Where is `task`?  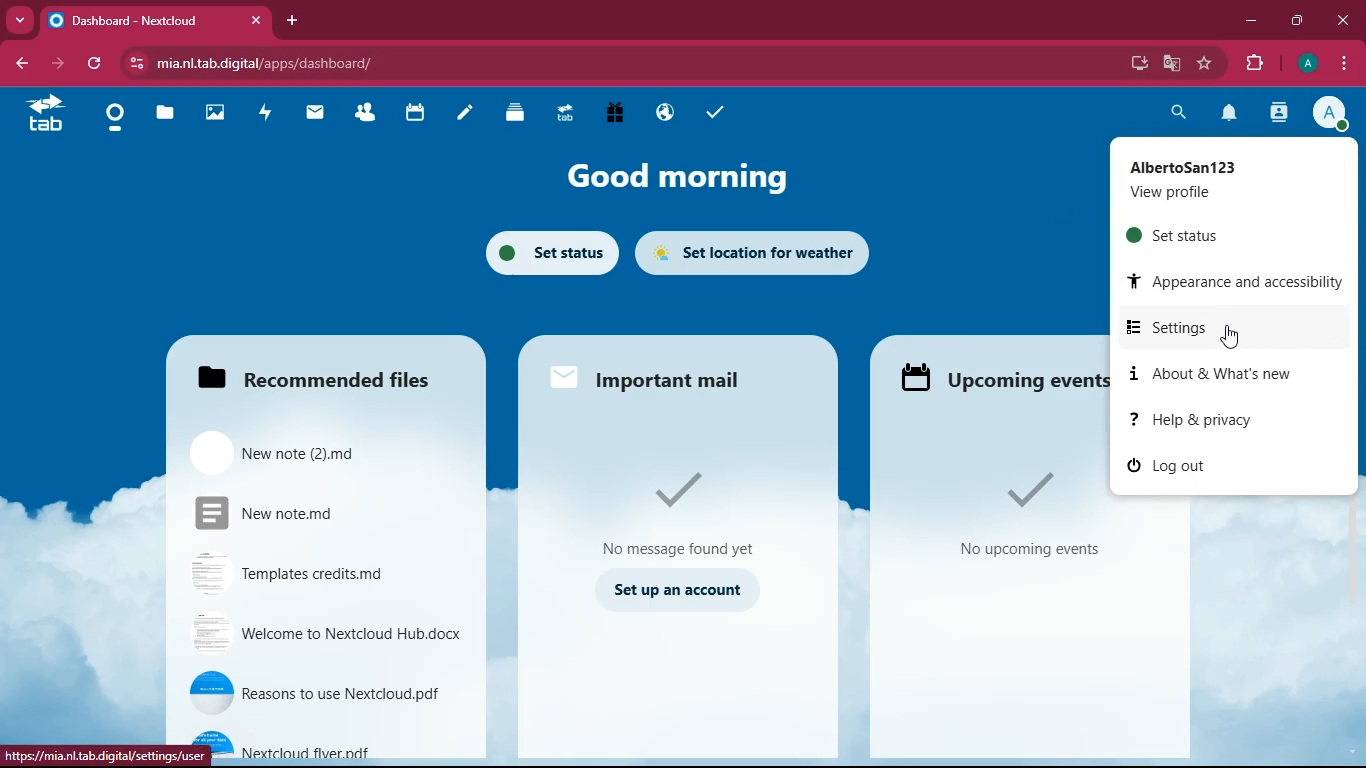 task is located at coordinates (720, 115).